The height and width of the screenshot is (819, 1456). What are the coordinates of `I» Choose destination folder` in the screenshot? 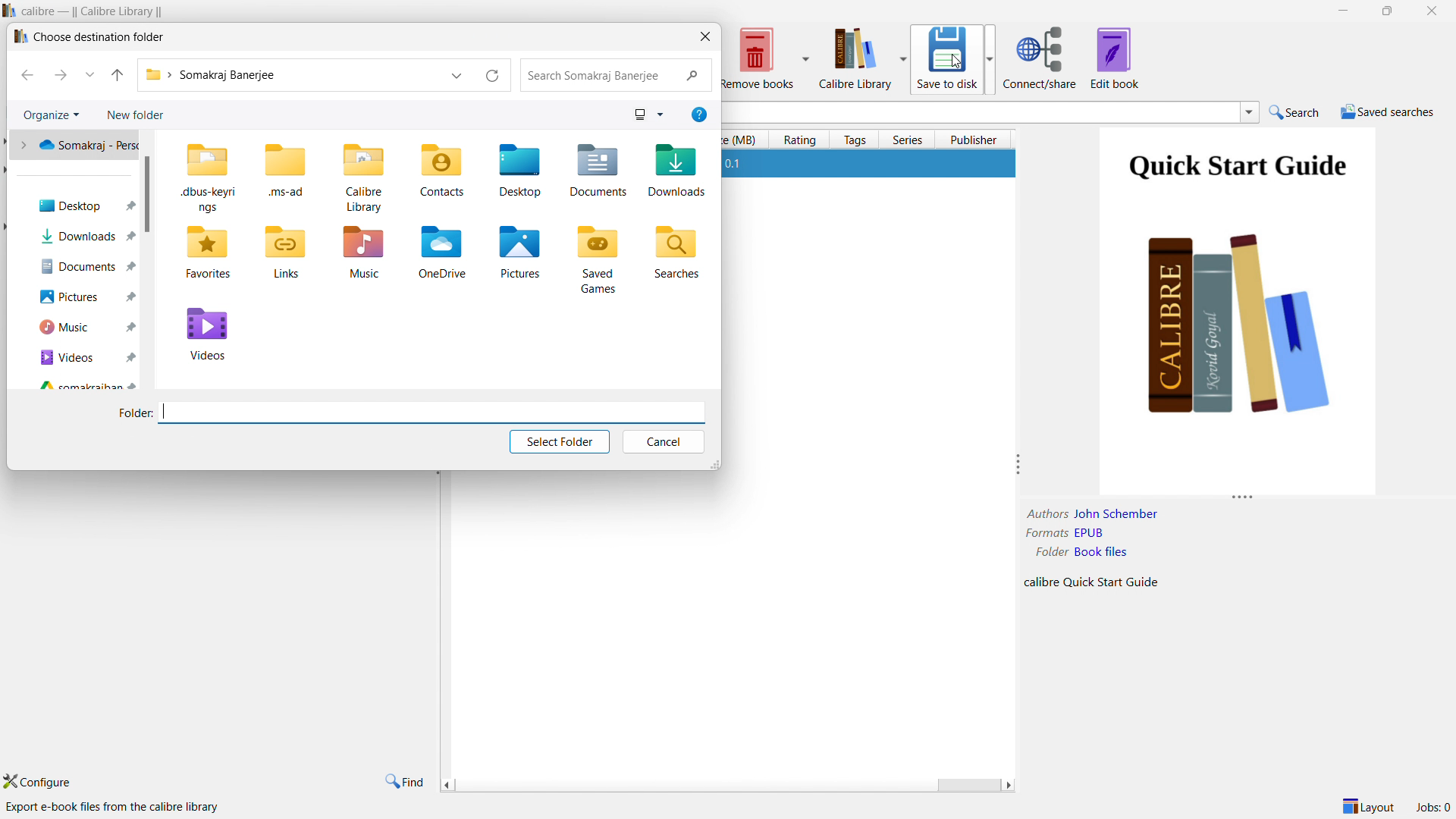 It's located at (89, 36).